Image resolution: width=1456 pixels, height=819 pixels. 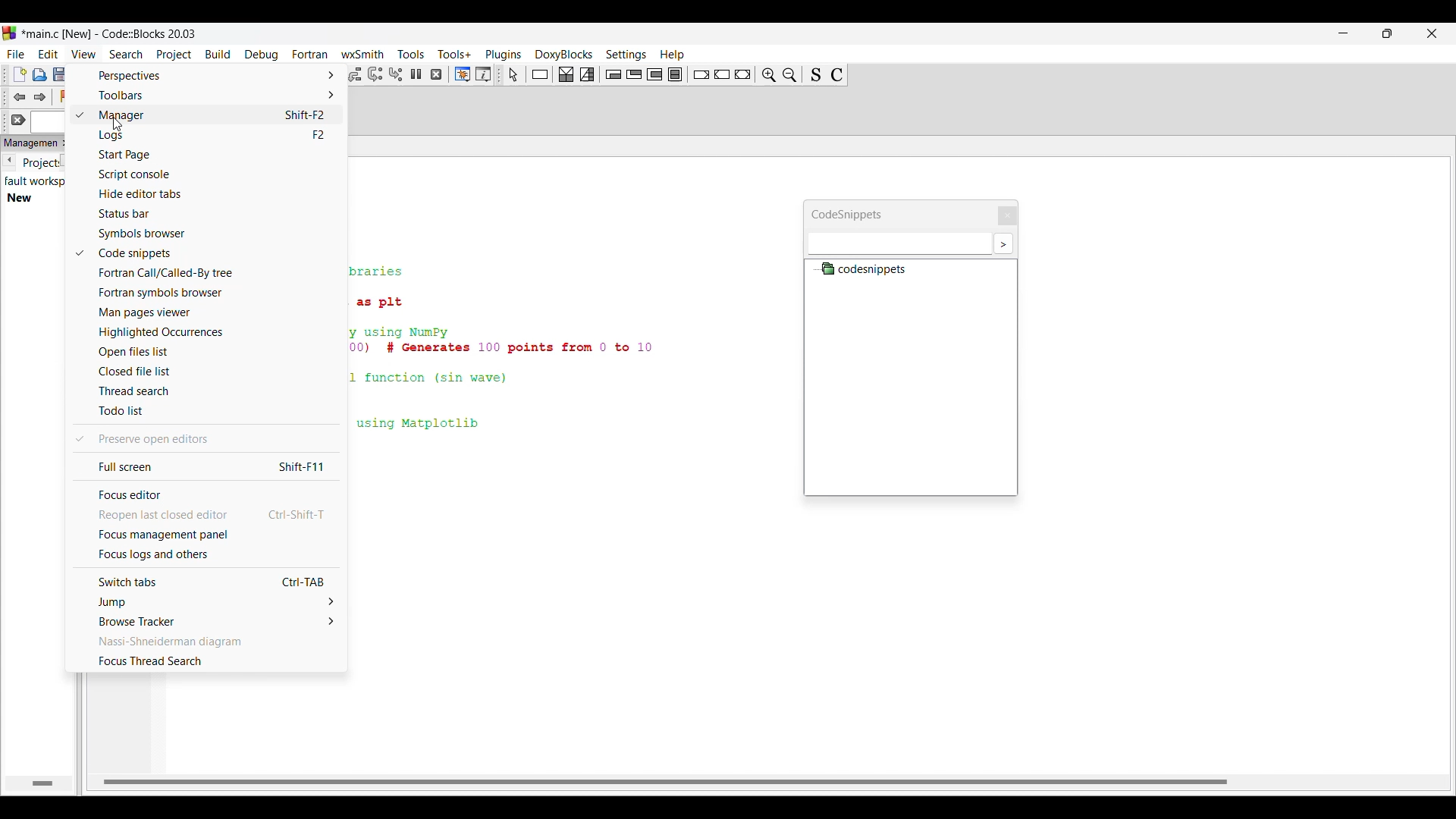 I want to click on Toolbar options, so click(x=206, y=95).